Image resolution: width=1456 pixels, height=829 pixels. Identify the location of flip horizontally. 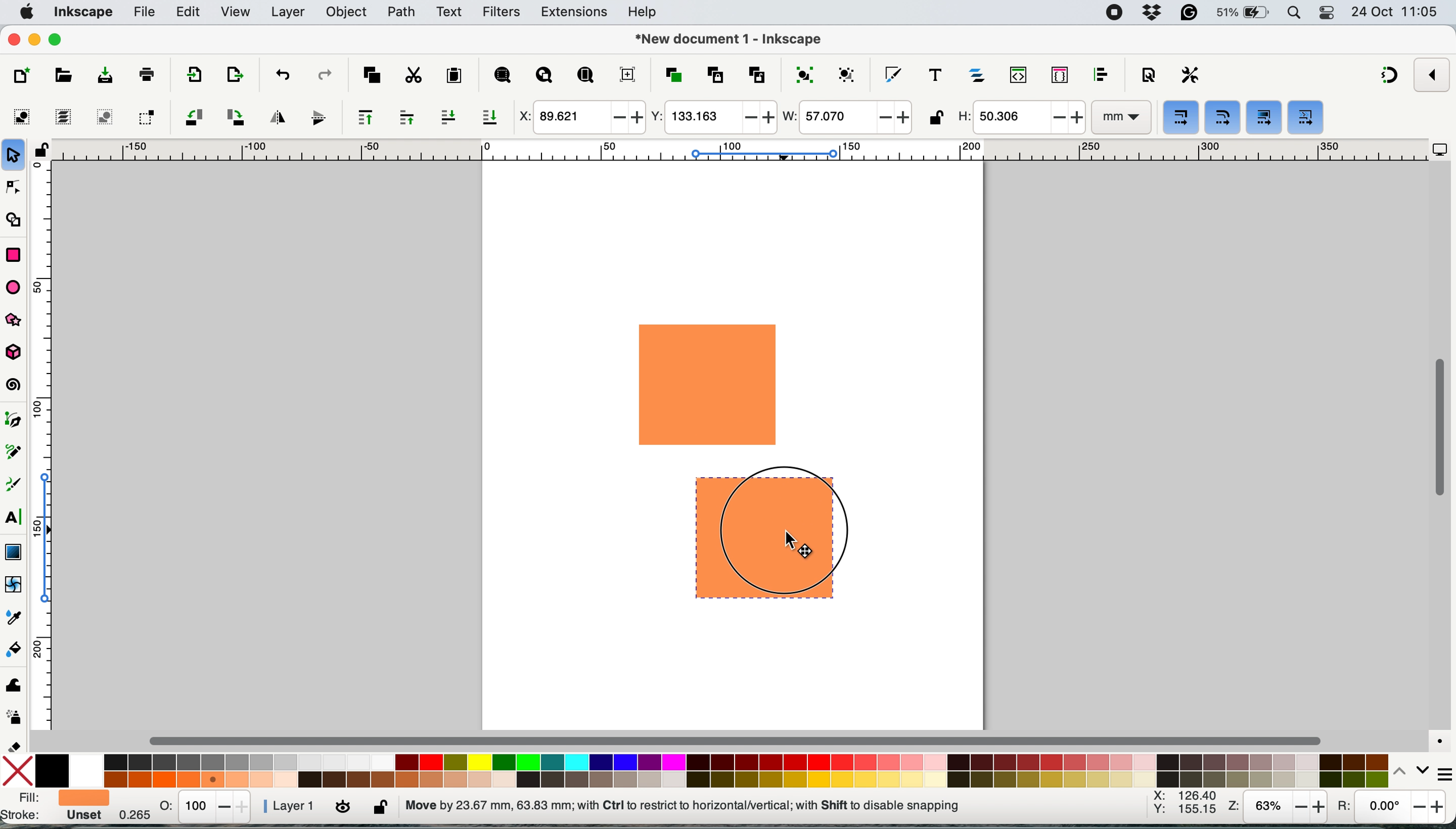
(275, 116).